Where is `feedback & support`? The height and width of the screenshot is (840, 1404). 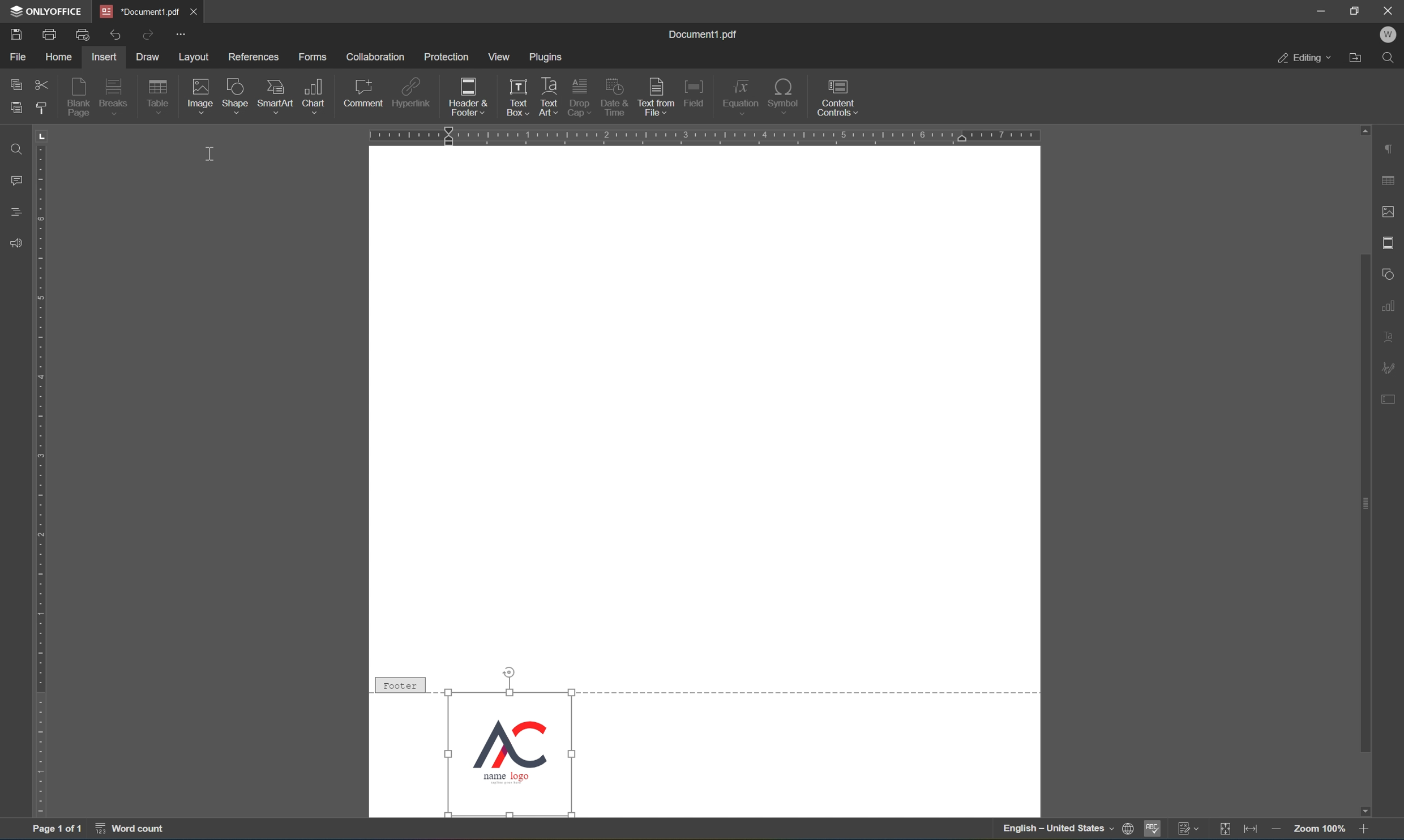 feedback & support is located at coordinates (17, 241).